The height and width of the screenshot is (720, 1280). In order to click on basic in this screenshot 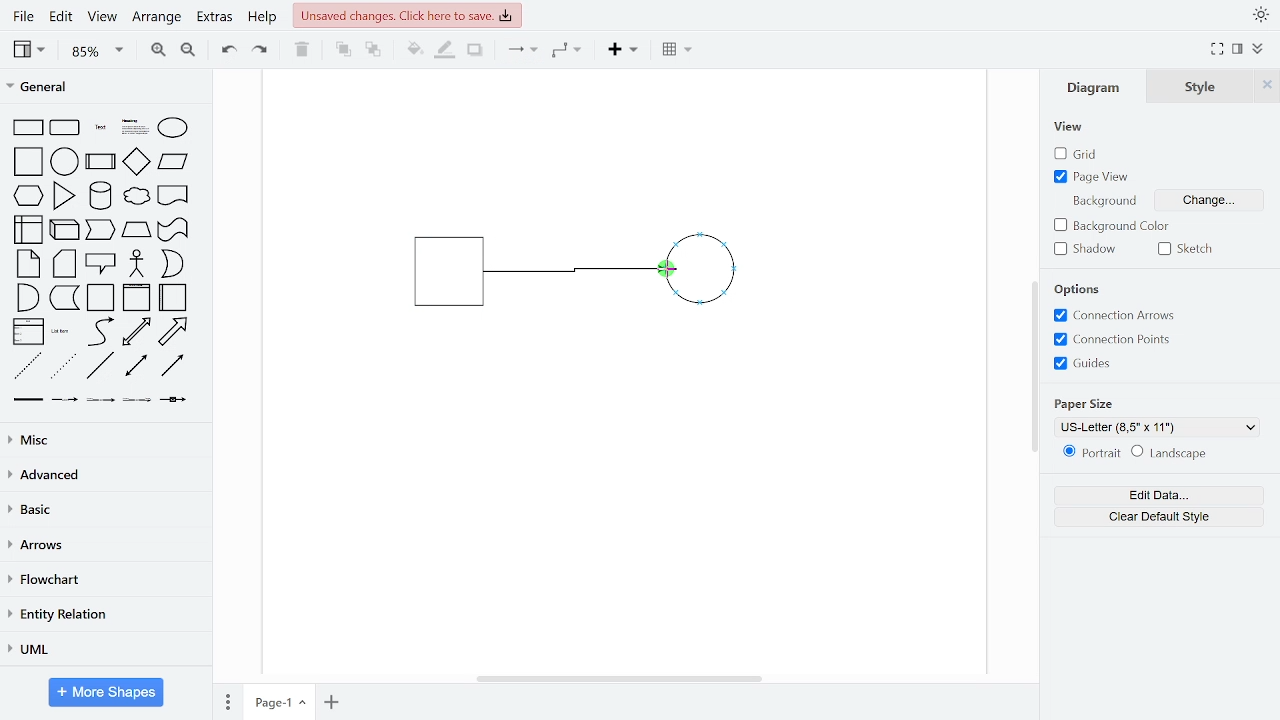, I will do `click(104, 509)`.